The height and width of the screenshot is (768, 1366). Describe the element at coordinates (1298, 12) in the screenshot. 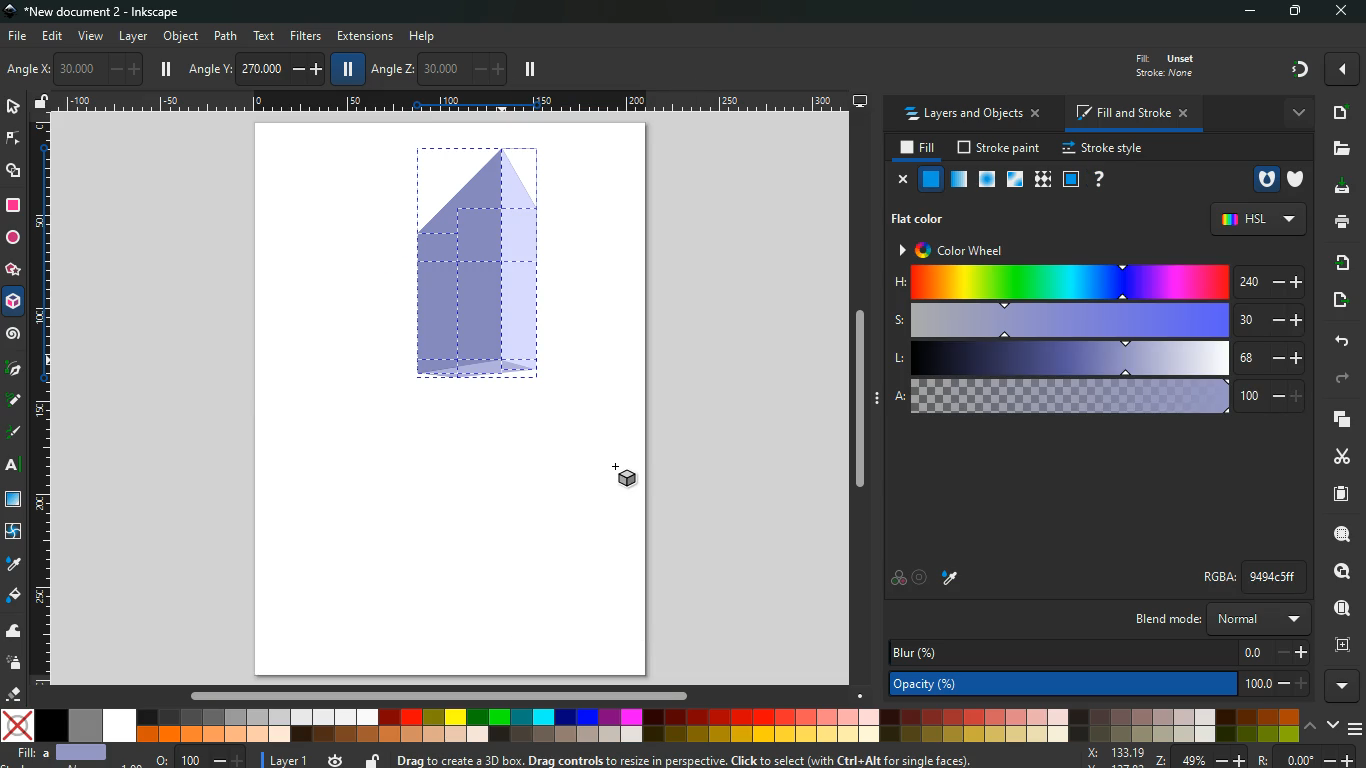

I see `maximize` at that location.